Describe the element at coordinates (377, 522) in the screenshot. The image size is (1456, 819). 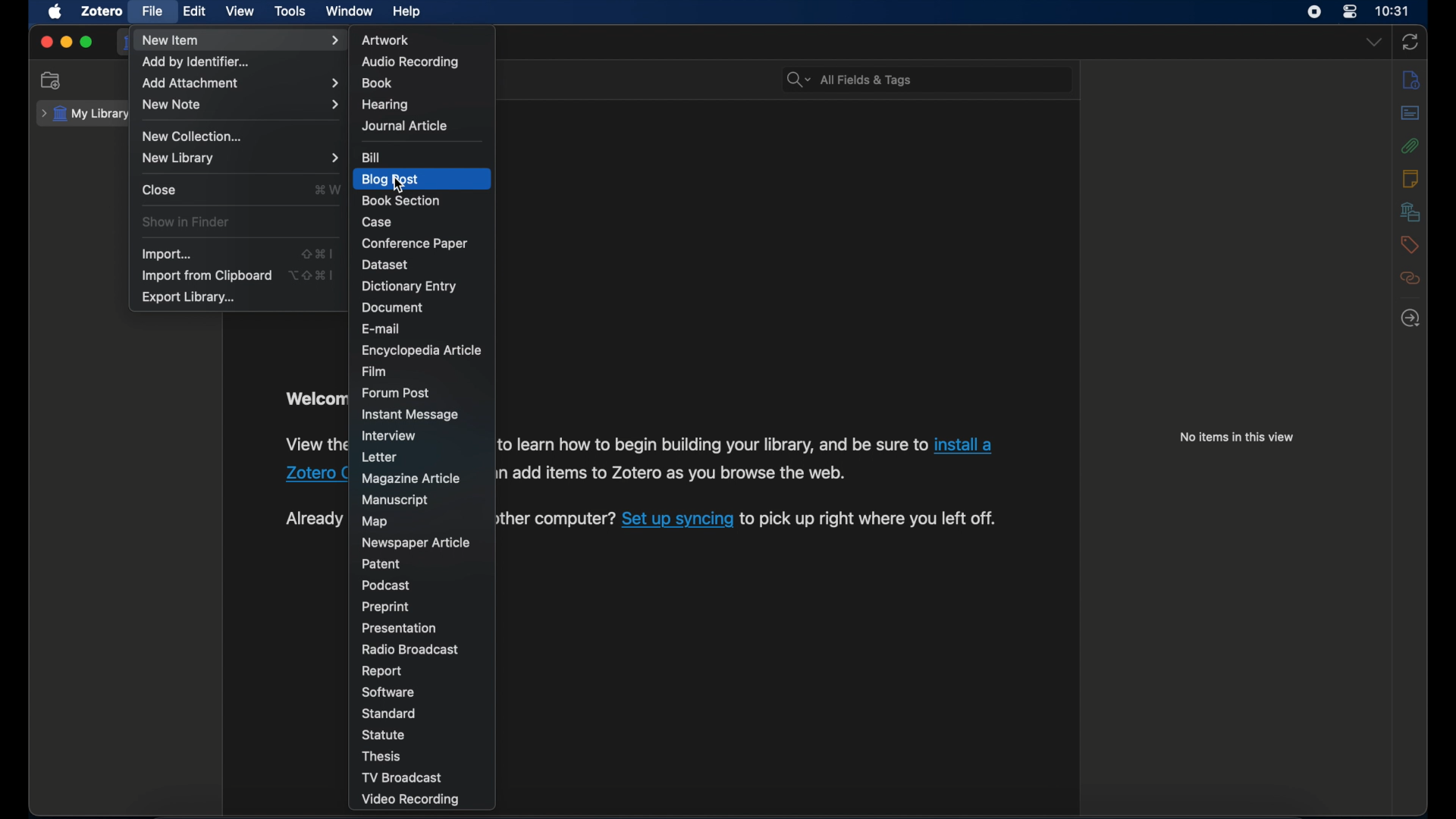
I see `map` at that location.